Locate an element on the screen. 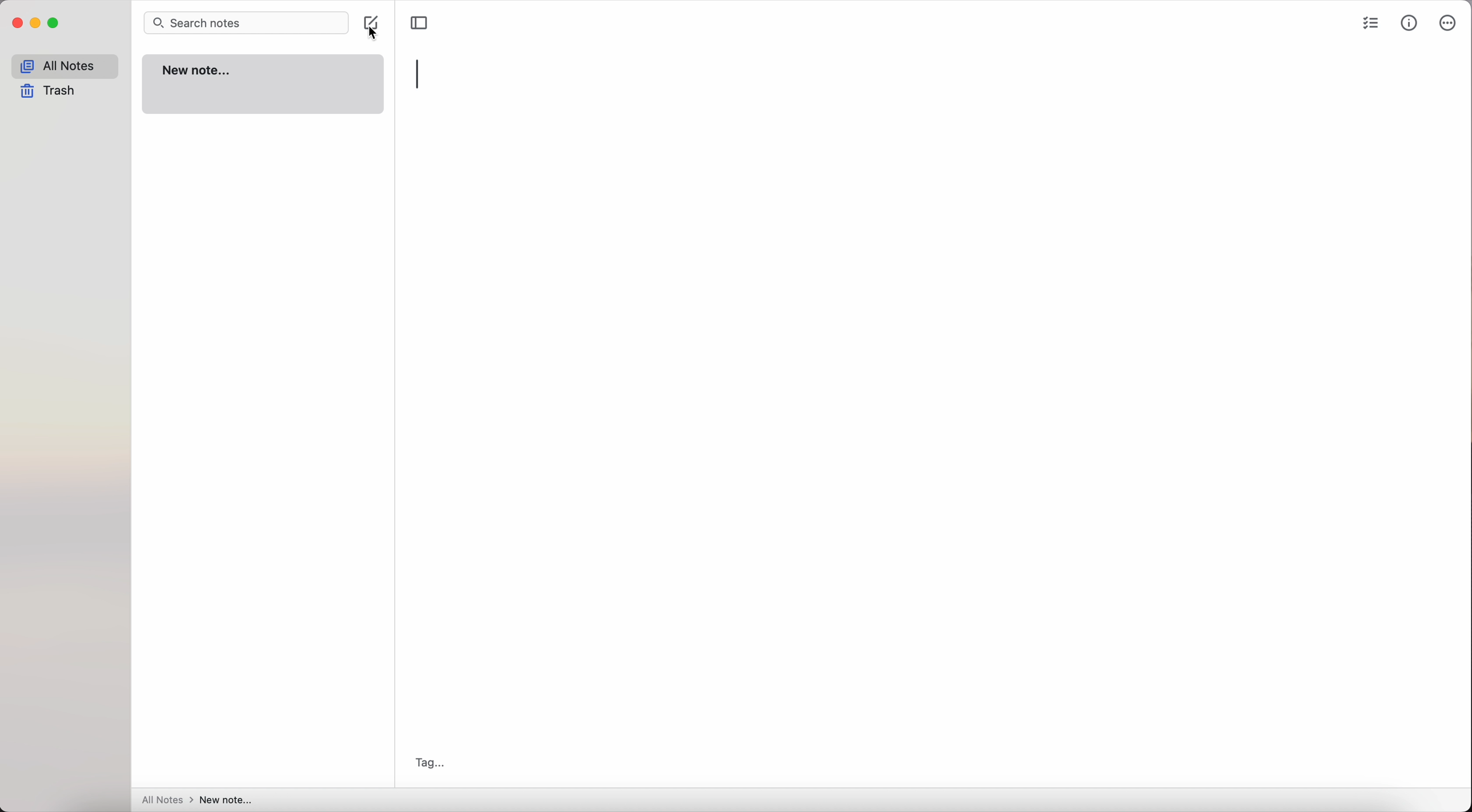  close is located at coordinates (16, 25).